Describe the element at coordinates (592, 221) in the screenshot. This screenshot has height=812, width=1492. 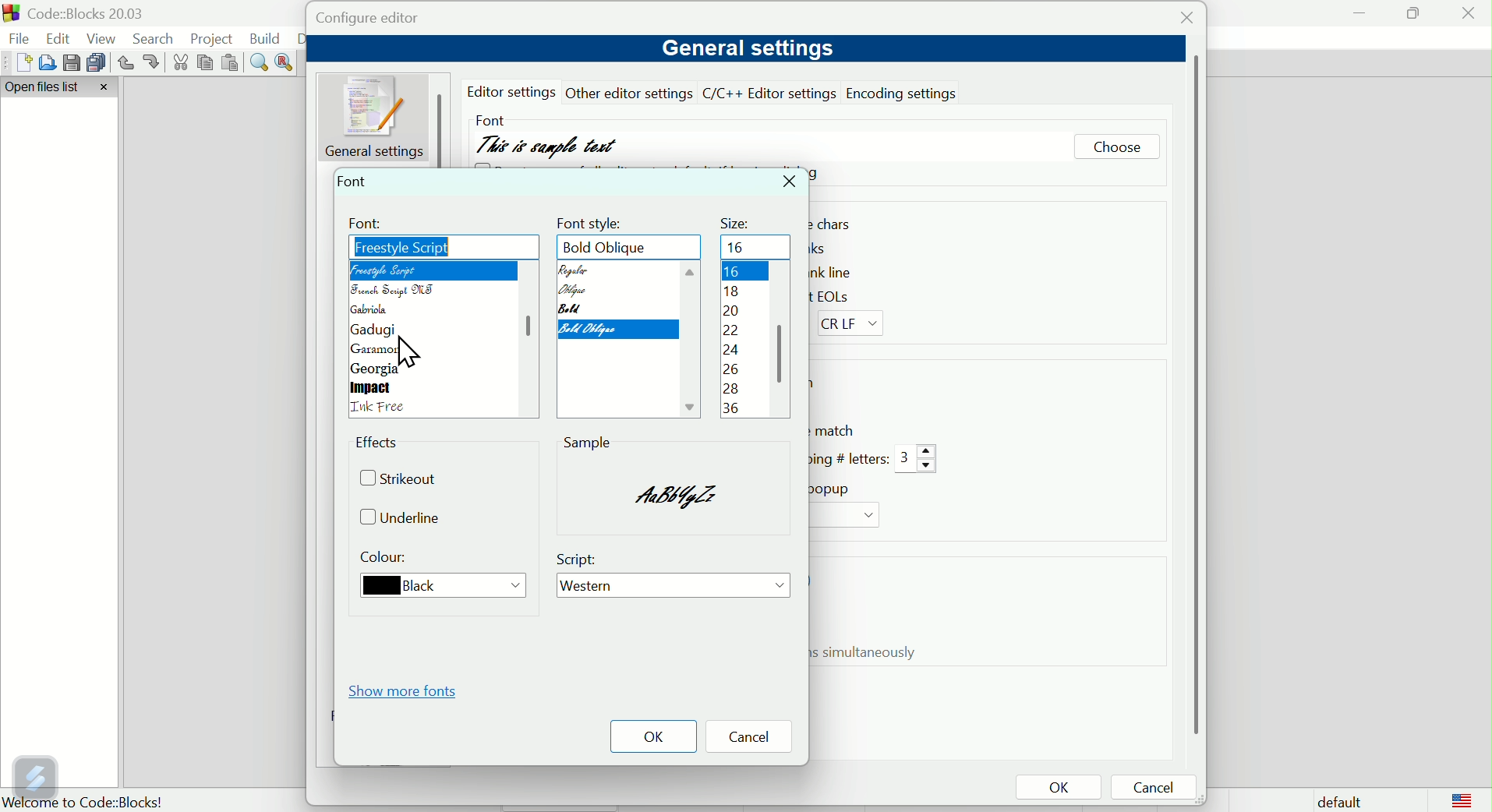
I see `font style` at that location.